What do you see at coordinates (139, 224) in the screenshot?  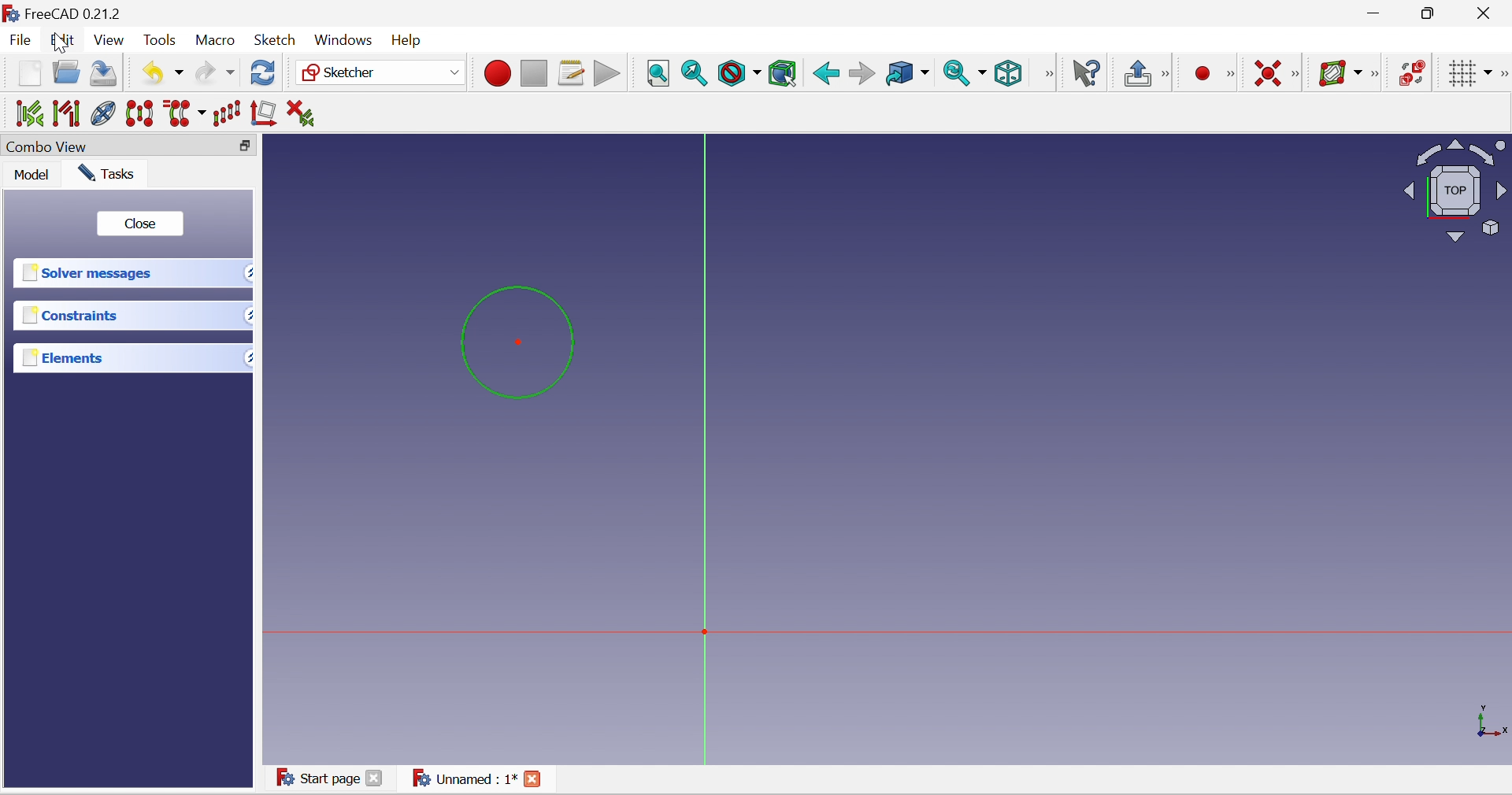 I see `close` at bounding box center [139, 224].